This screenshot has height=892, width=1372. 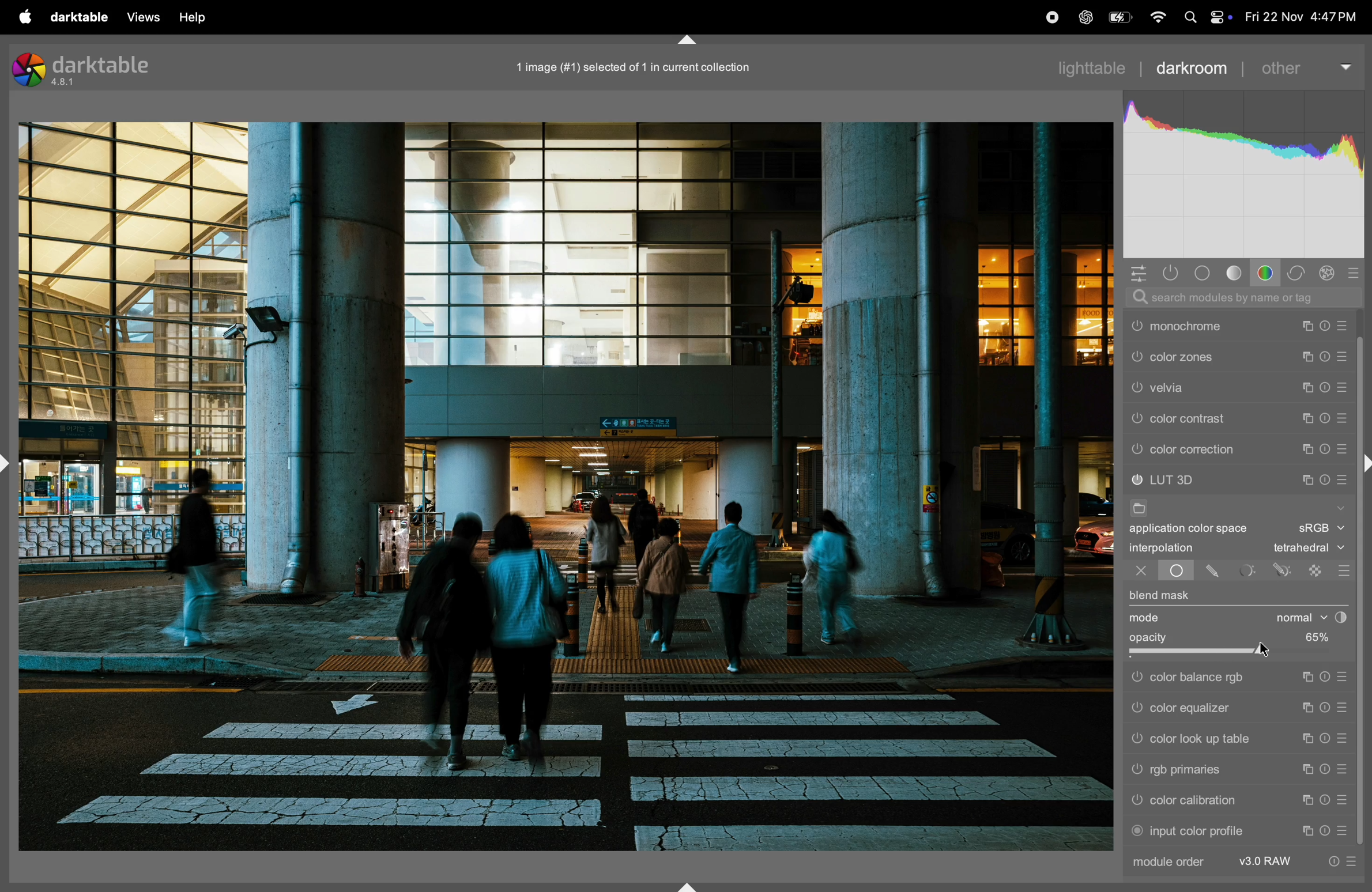 I want to click on reset, so click(x=1325, y=477).